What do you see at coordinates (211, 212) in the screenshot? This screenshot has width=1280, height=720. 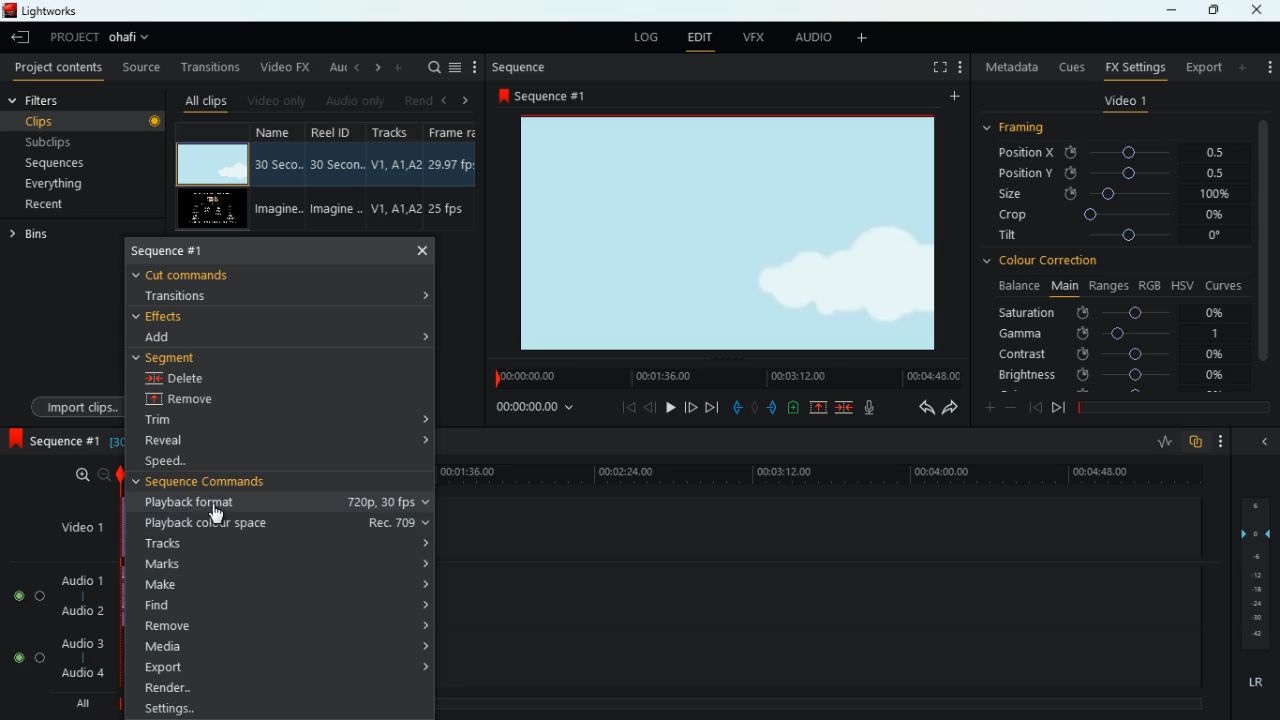 I see `video` at bounding box center [211, 212].